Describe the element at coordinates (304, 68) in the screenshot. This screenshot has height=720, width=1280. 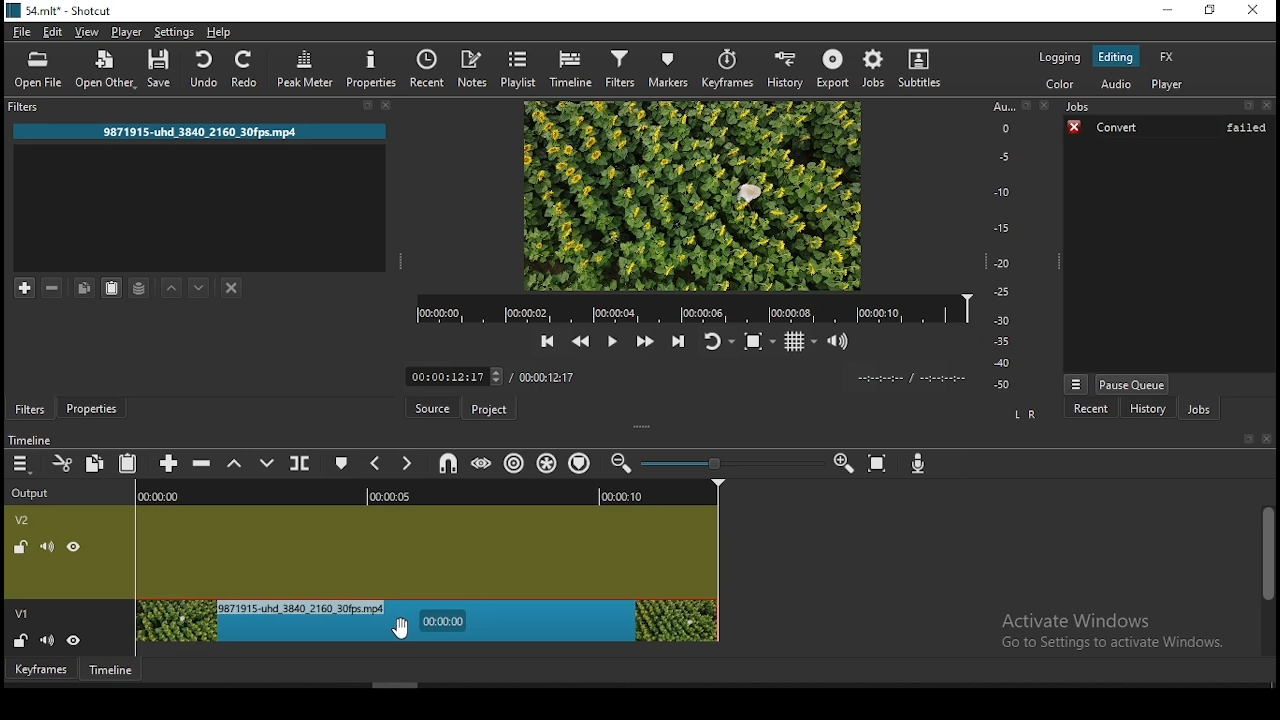
I see `peak meter` at that location.